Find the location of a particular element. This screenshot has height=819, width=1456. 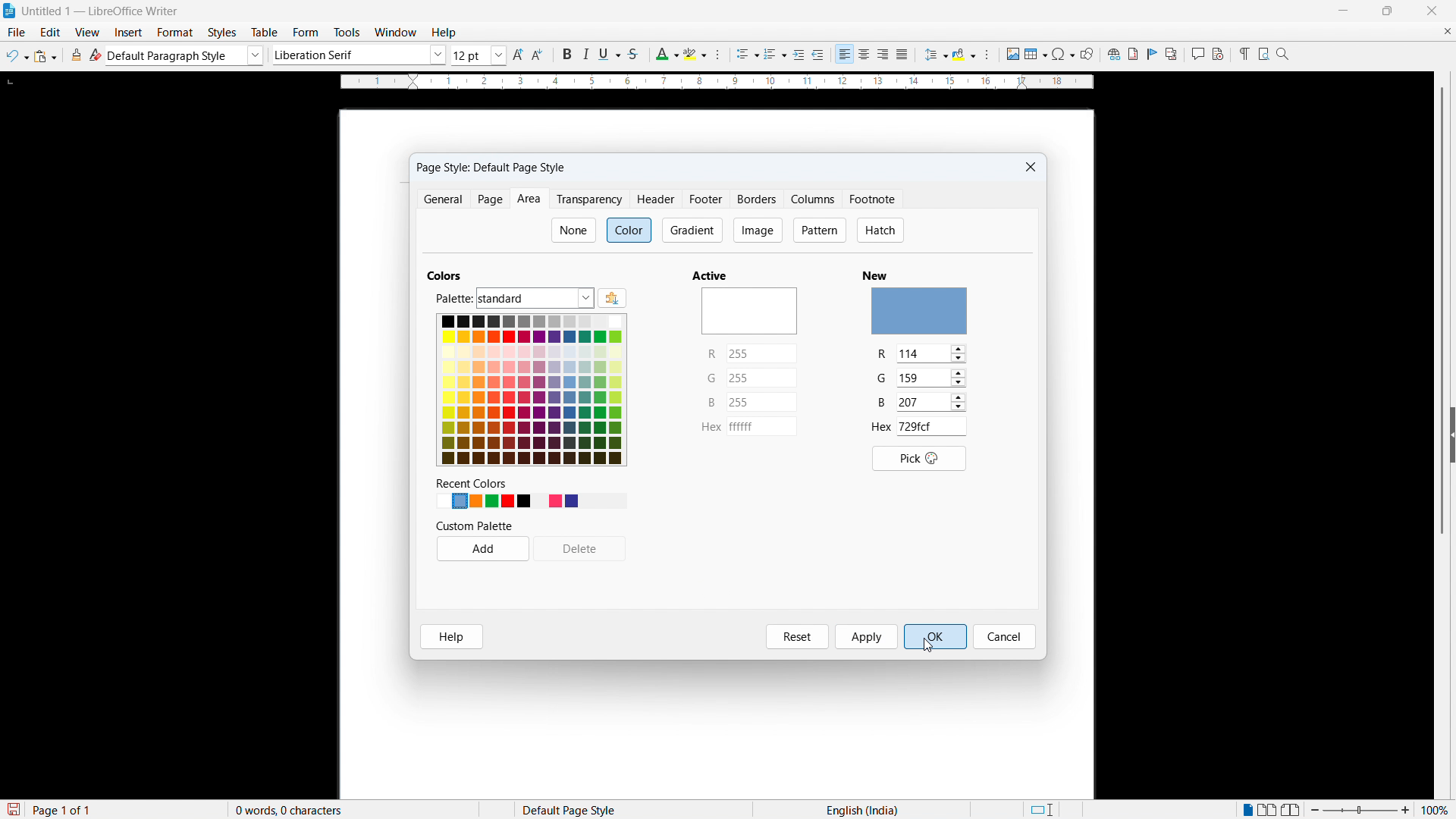

General  is located at coordinates (443, 199).